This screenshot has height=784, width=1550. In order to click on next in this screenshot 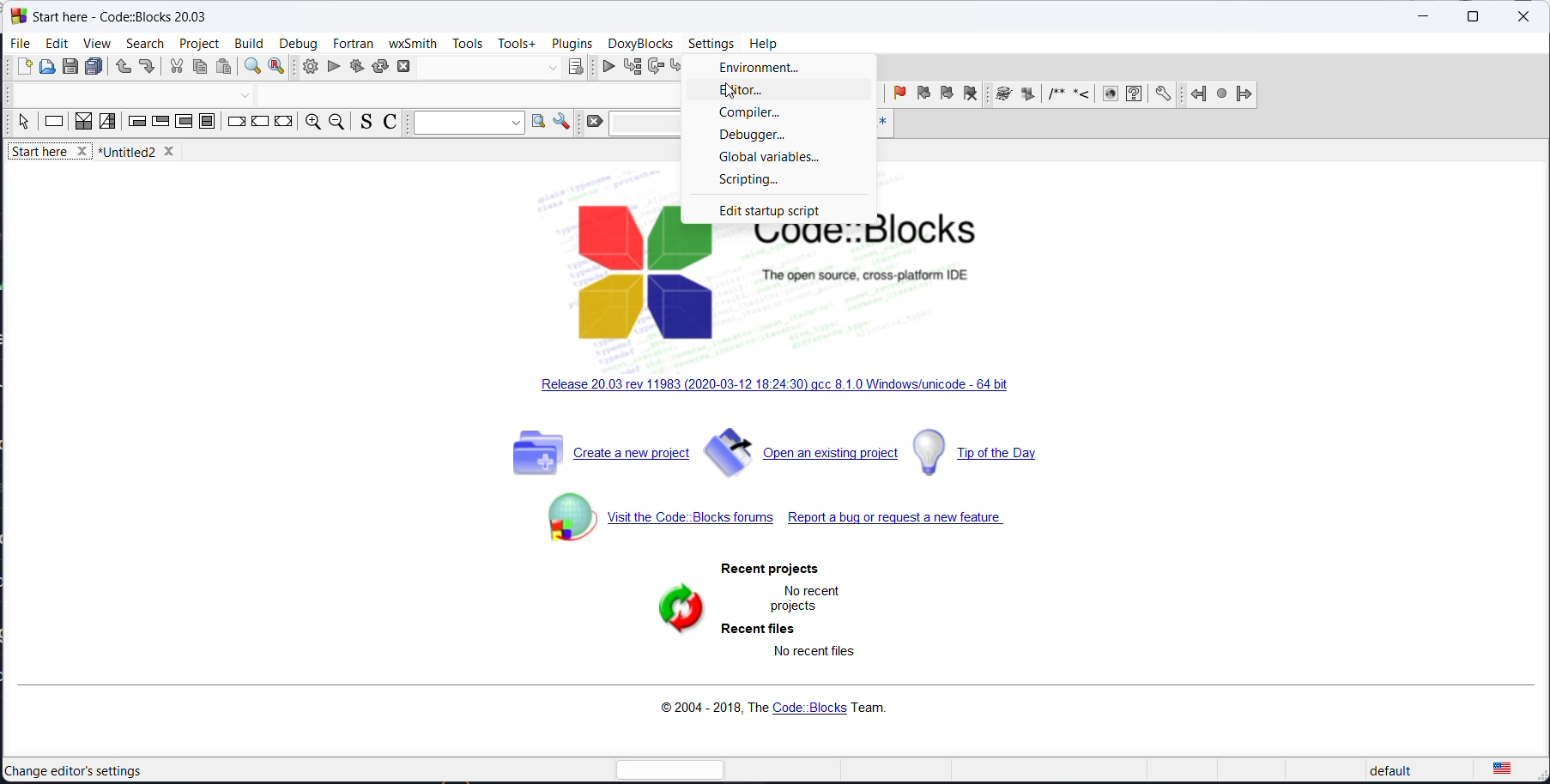, I will do `click(871, 94)`.